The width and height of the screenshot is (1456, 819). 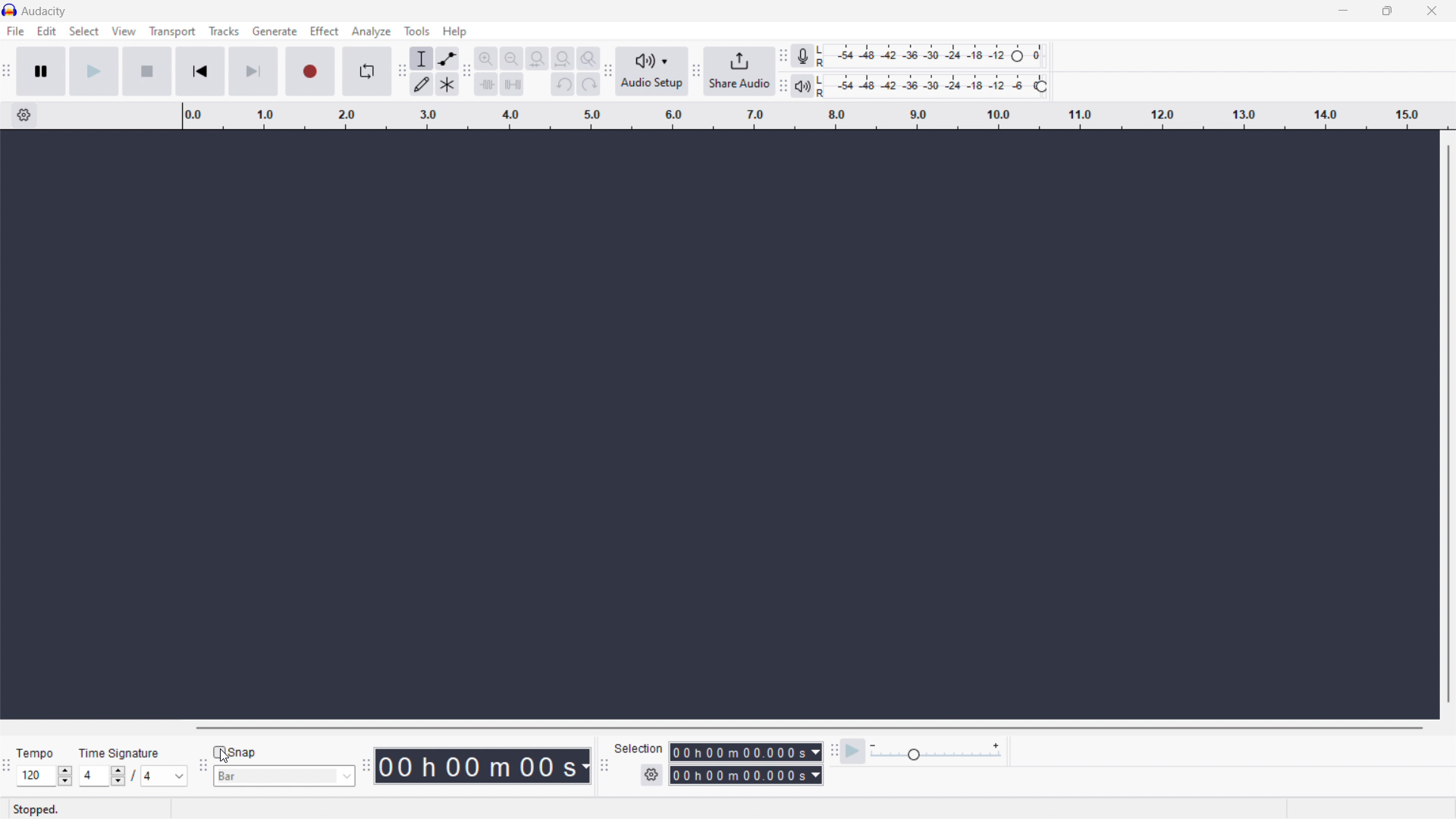 I want to click on envelop tool, so click(x=447, y=59).